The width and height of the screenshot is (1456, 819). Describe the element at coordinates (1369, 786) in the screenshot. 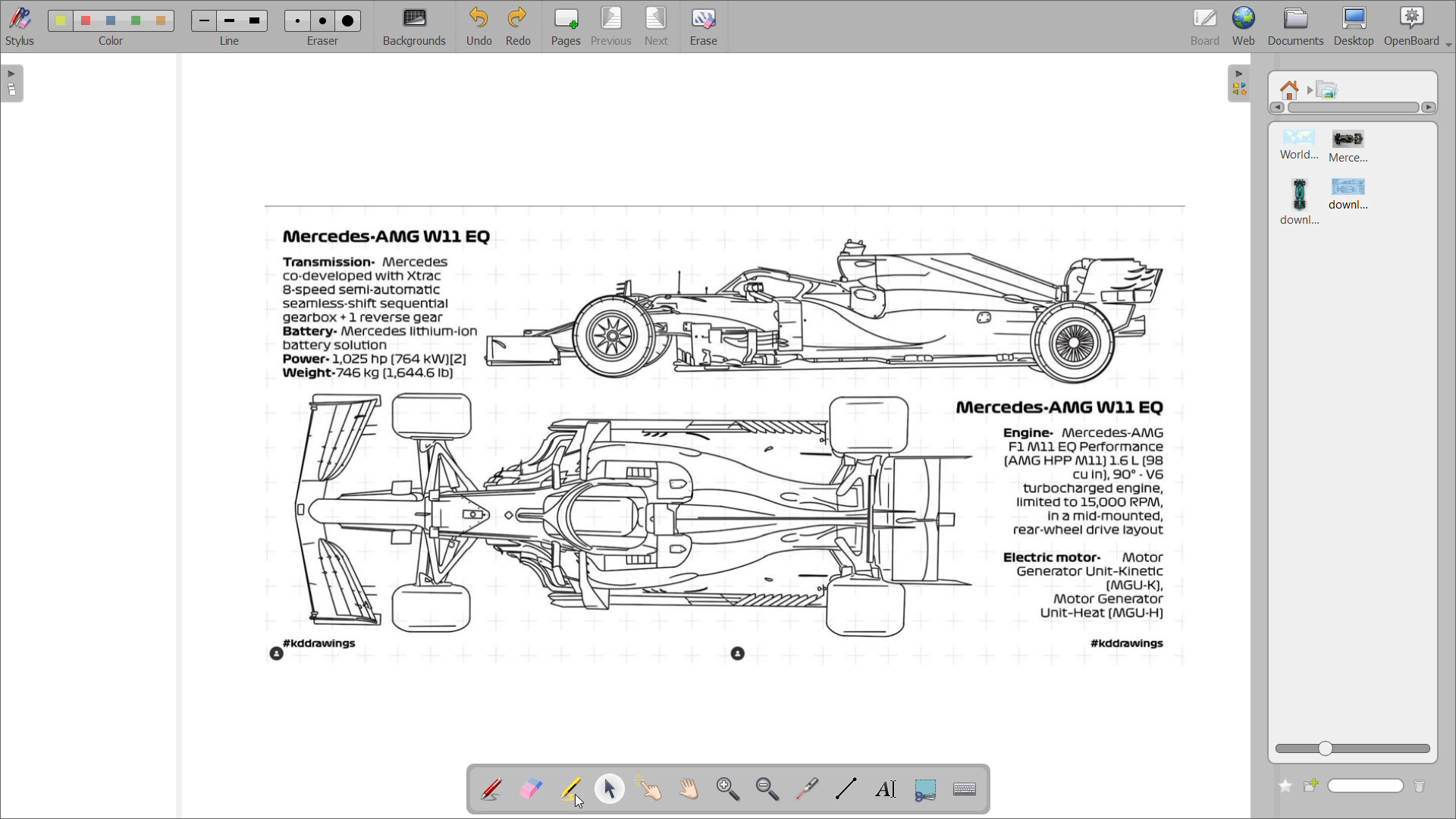

I see `name box` at that location.